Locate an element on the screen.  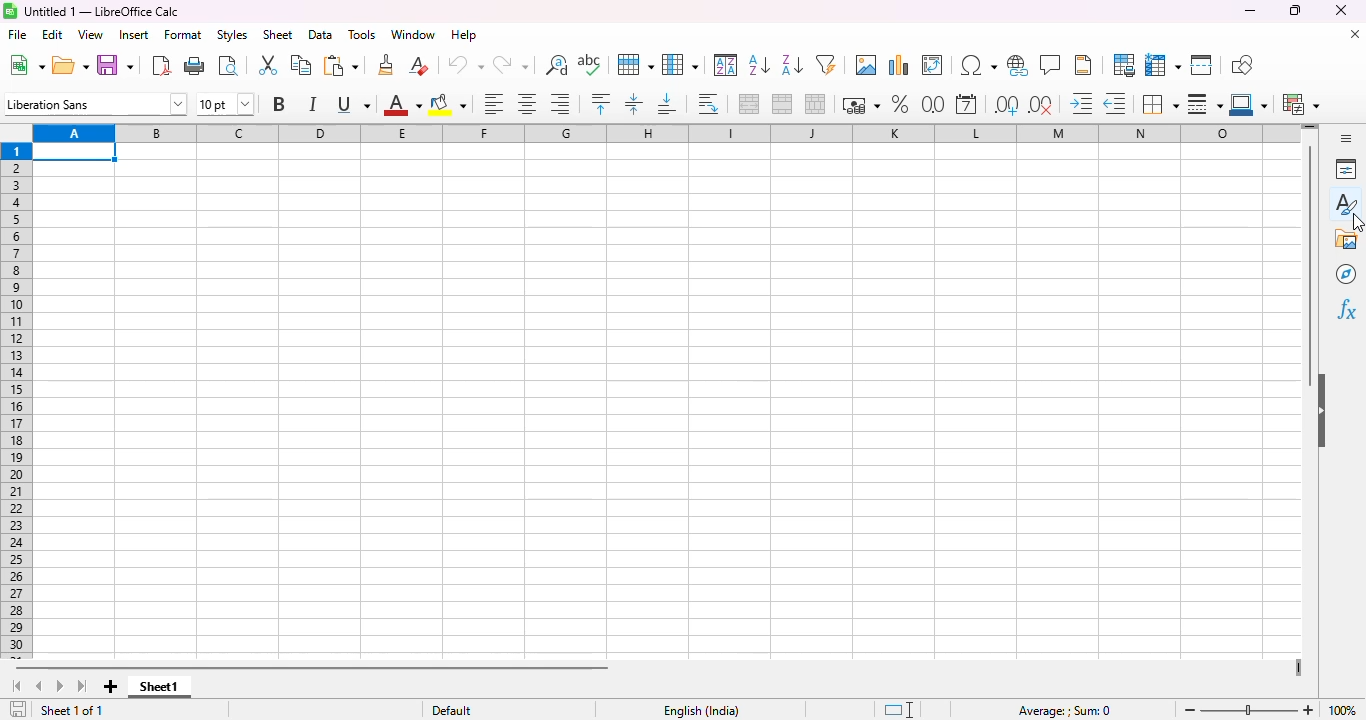
align right is located at coordinates (559, 103).